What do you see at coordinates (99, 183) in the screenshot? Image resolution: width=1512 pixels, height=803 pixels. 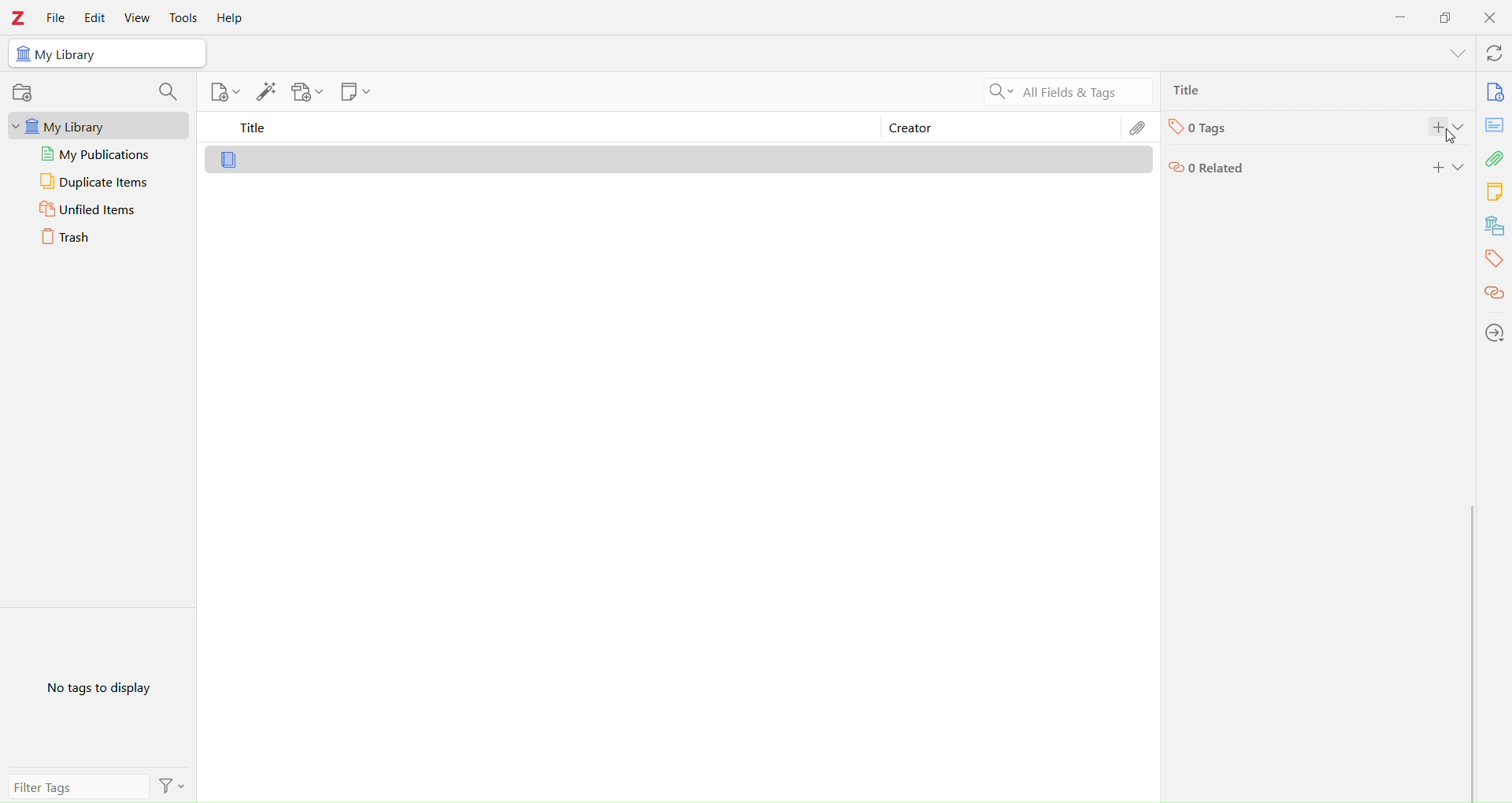 I see `Duplicate Items` at bounding box center [99, 183].